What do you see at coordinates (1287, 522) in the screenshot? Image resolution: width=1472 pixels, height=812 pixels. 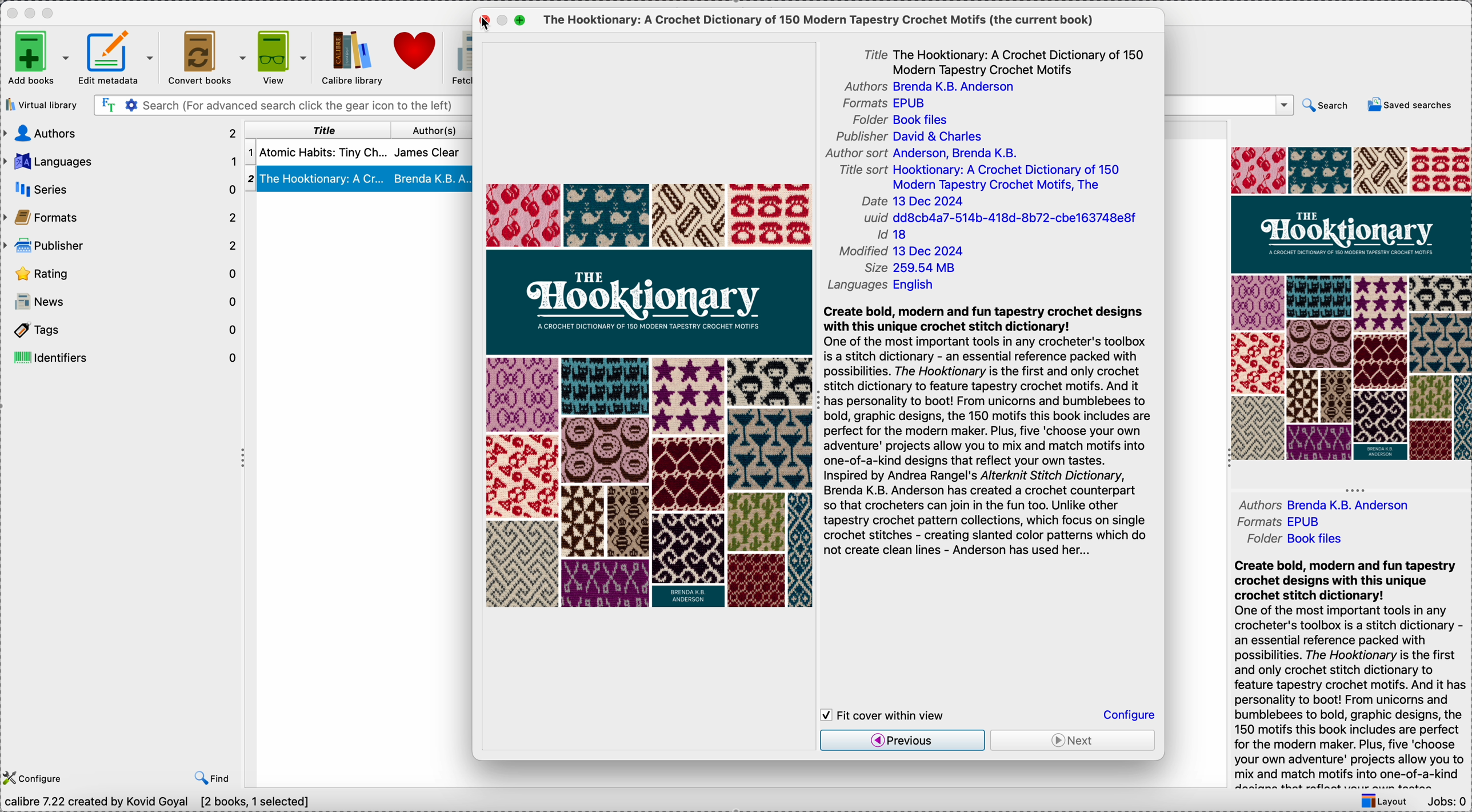 I see `formats EPUB` at bounding box center [1287, 522].